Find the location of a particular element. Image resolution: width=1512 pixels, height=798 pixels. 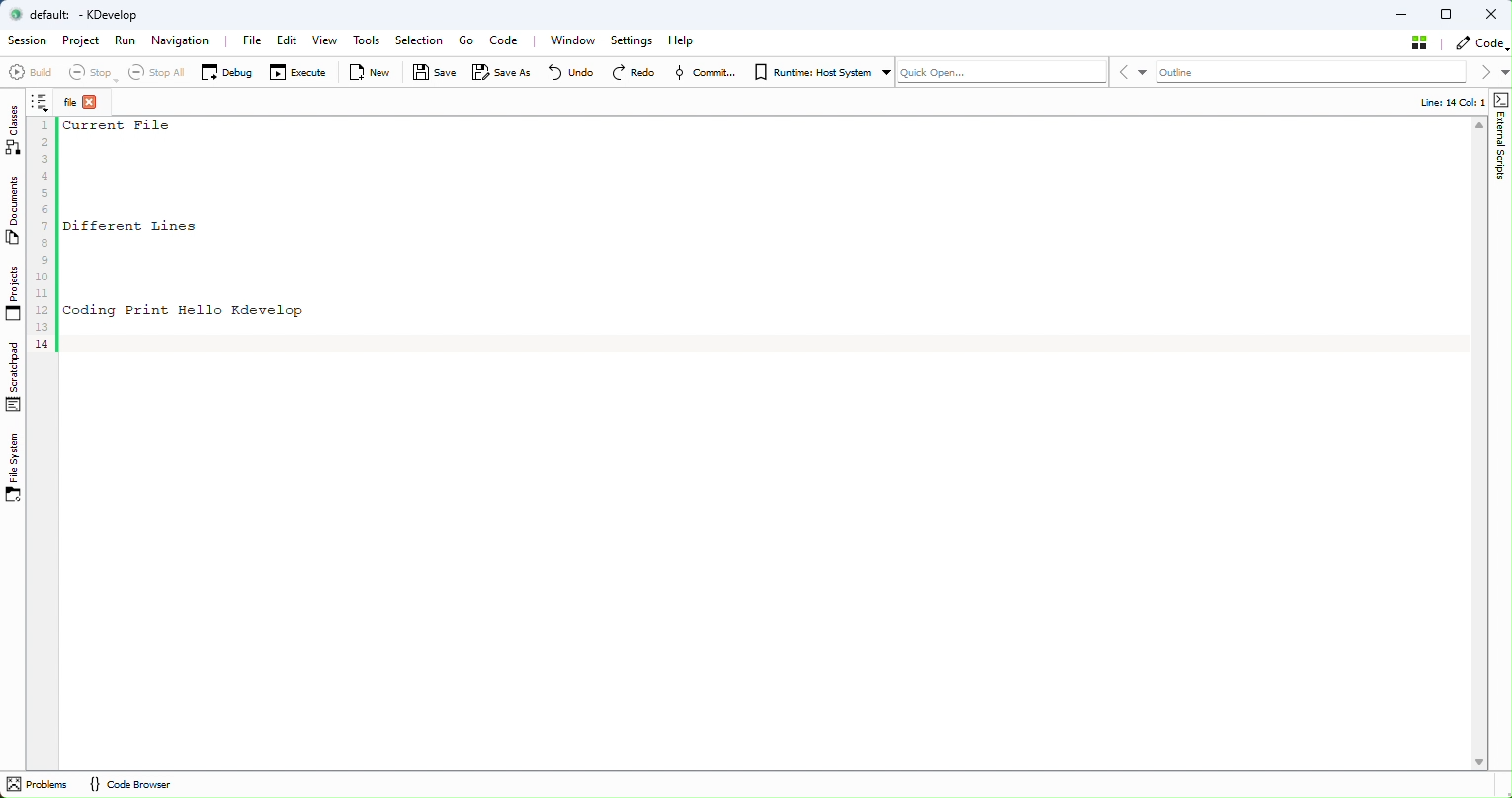

Undo is located at coordinates (565, 72).